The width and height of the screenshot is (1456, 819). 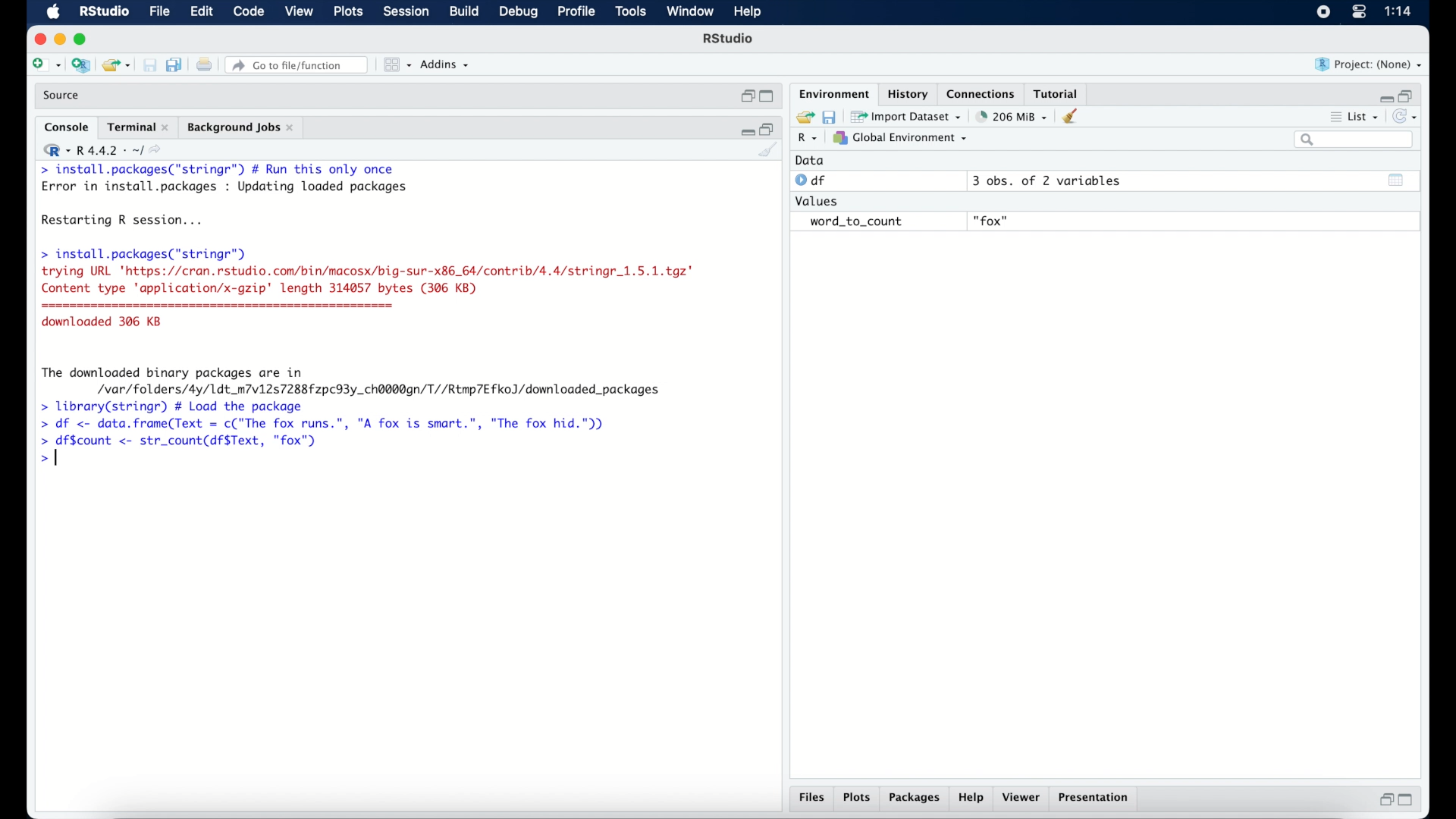 I want to click on environment, so click(x=833, y=93).